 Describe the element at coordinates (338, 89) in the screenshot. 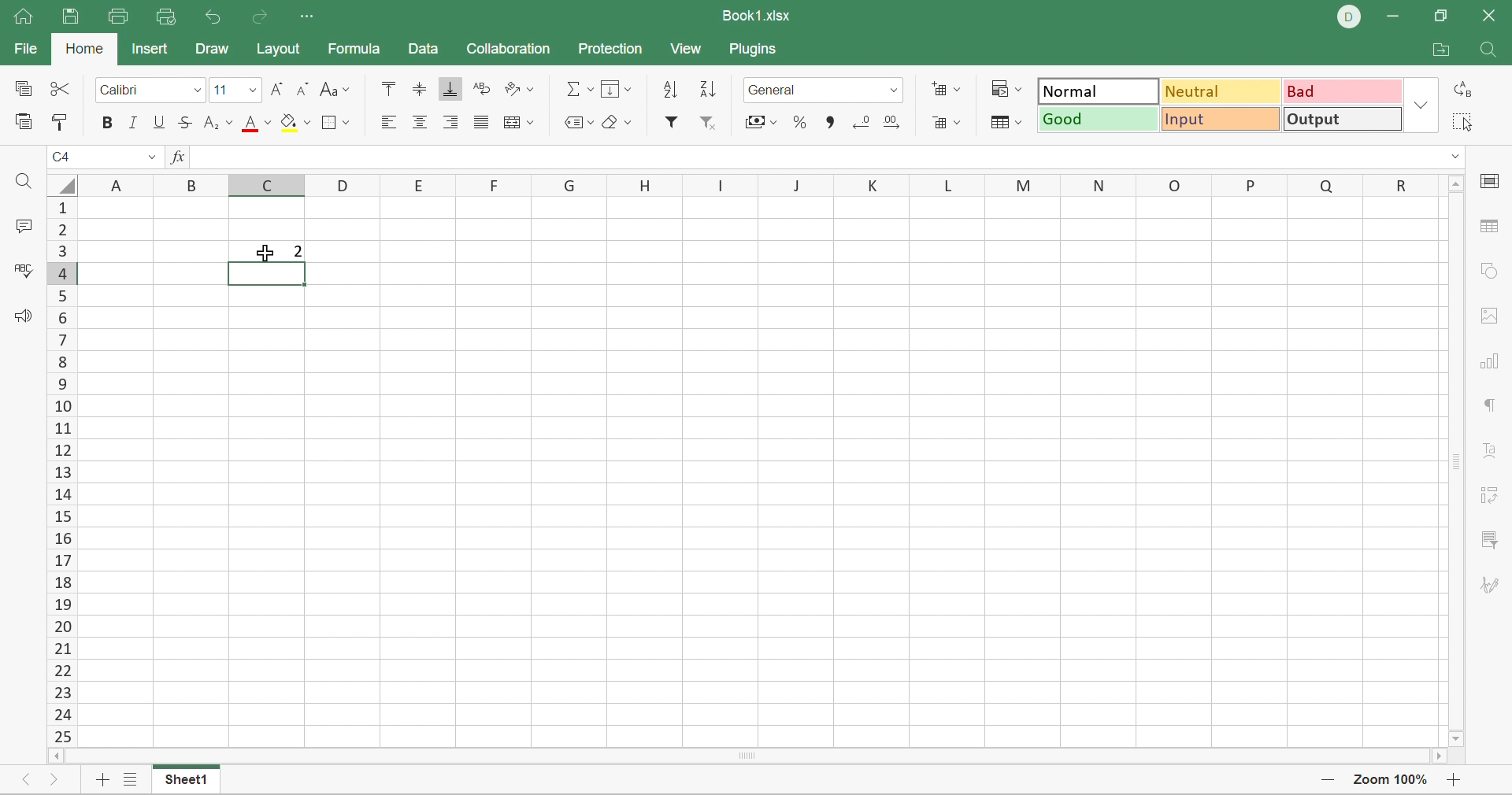

I see `Change case` at that location.